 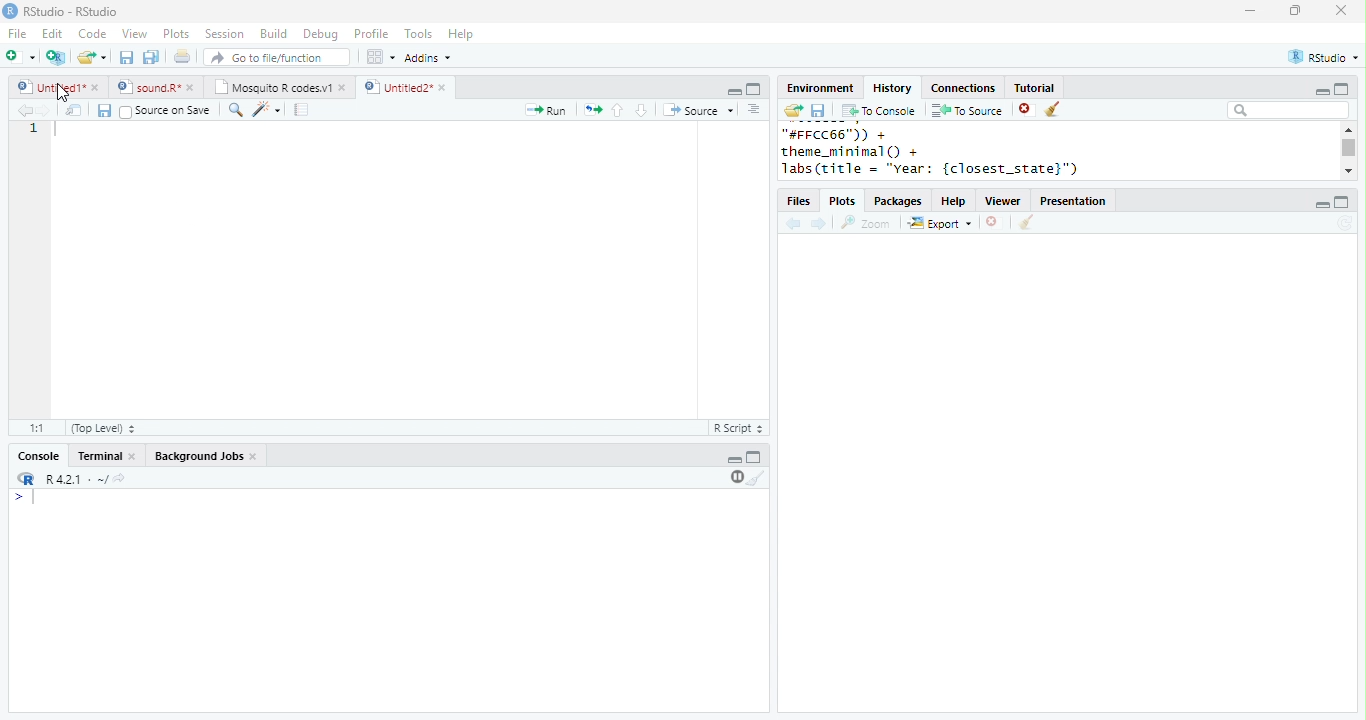 What do you see at coordinates (34, 129) in the screenshot?
I see `1` at bounding box center [34, 129].